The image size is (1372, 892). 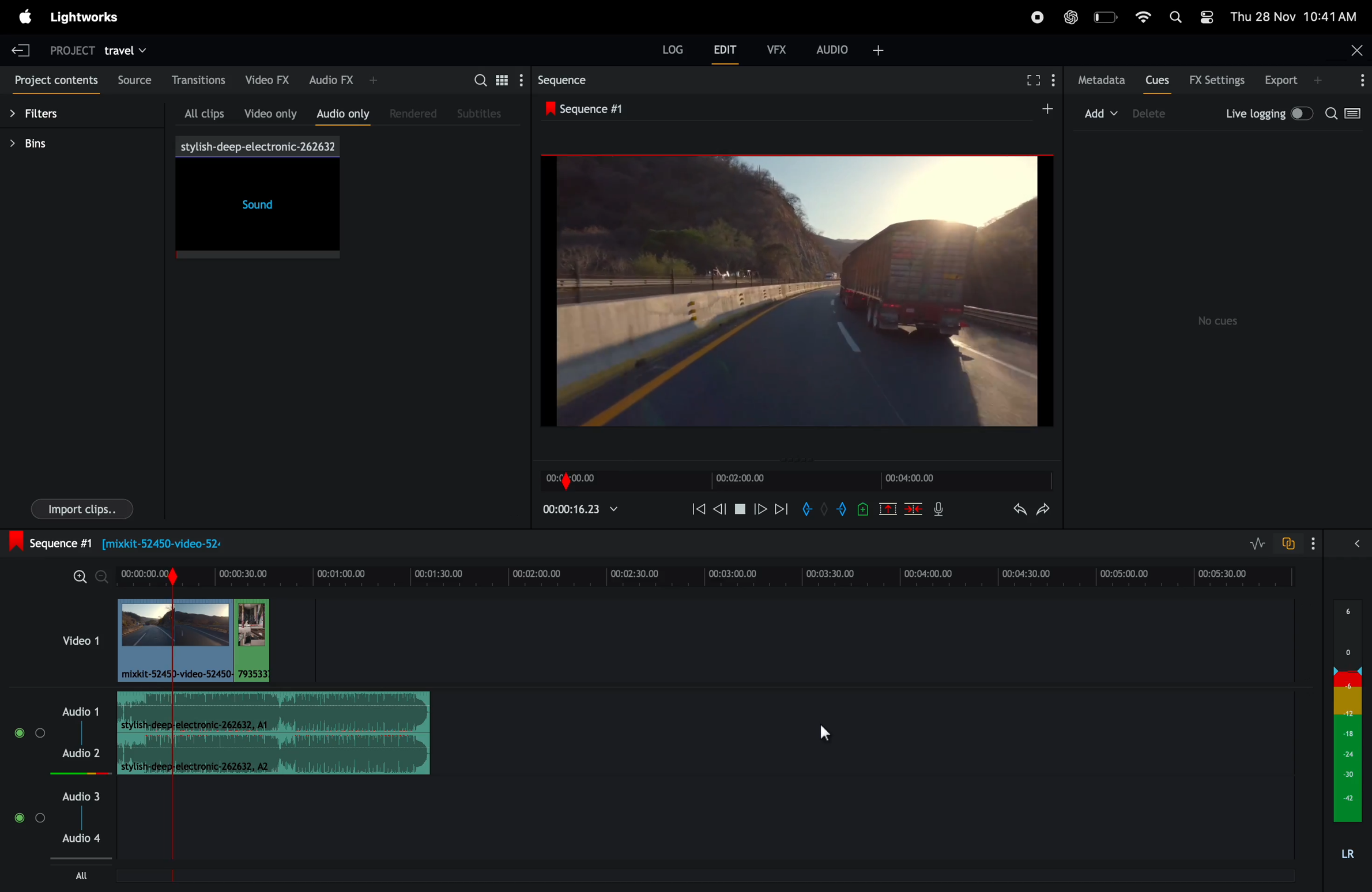 What do you see at coordinates (342, 80) in the screenshot?
I see `audio fx` at bounding box center [342, 80].